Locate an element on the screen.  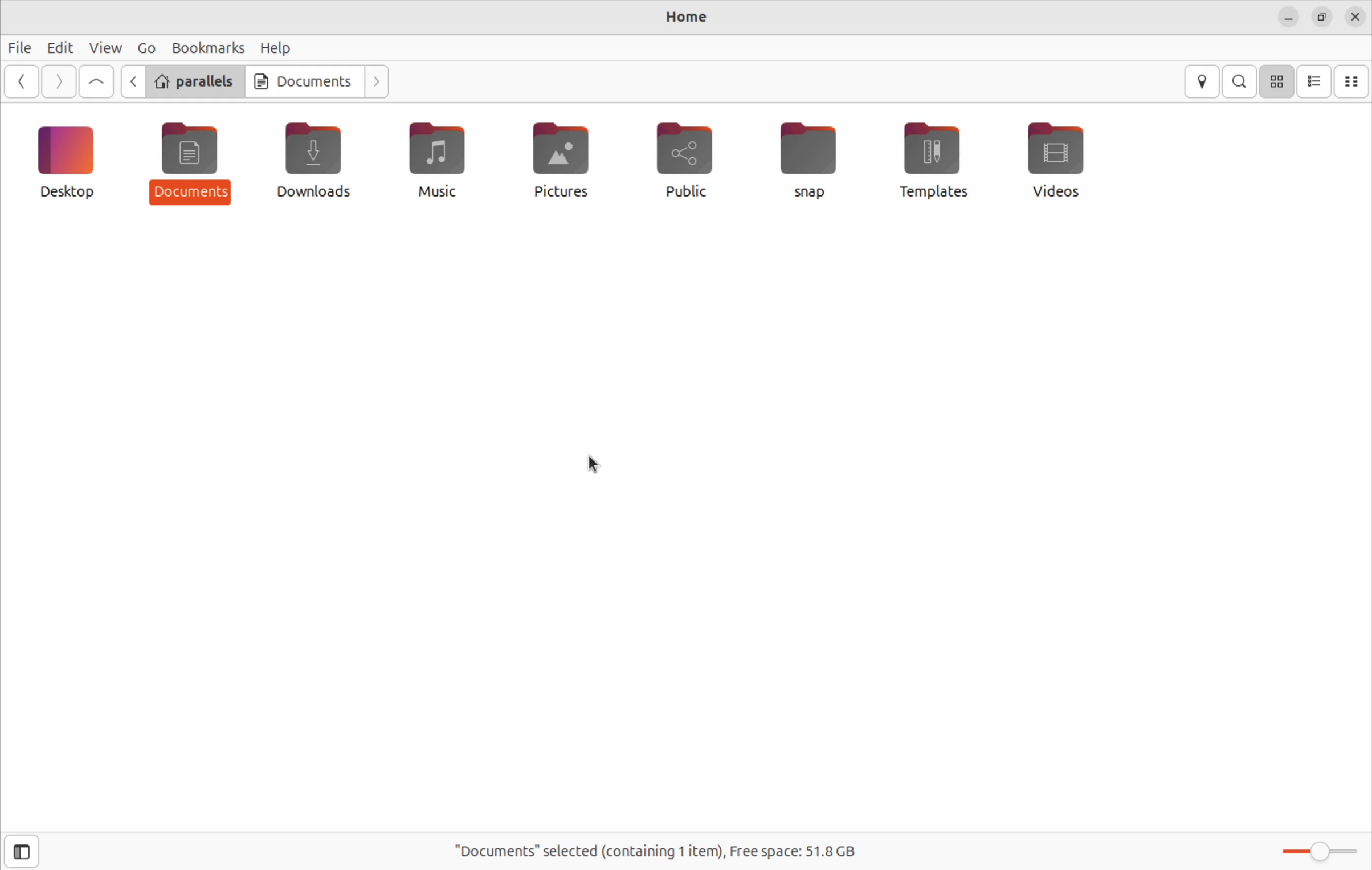
pictures is located at coordinates (563, 159).